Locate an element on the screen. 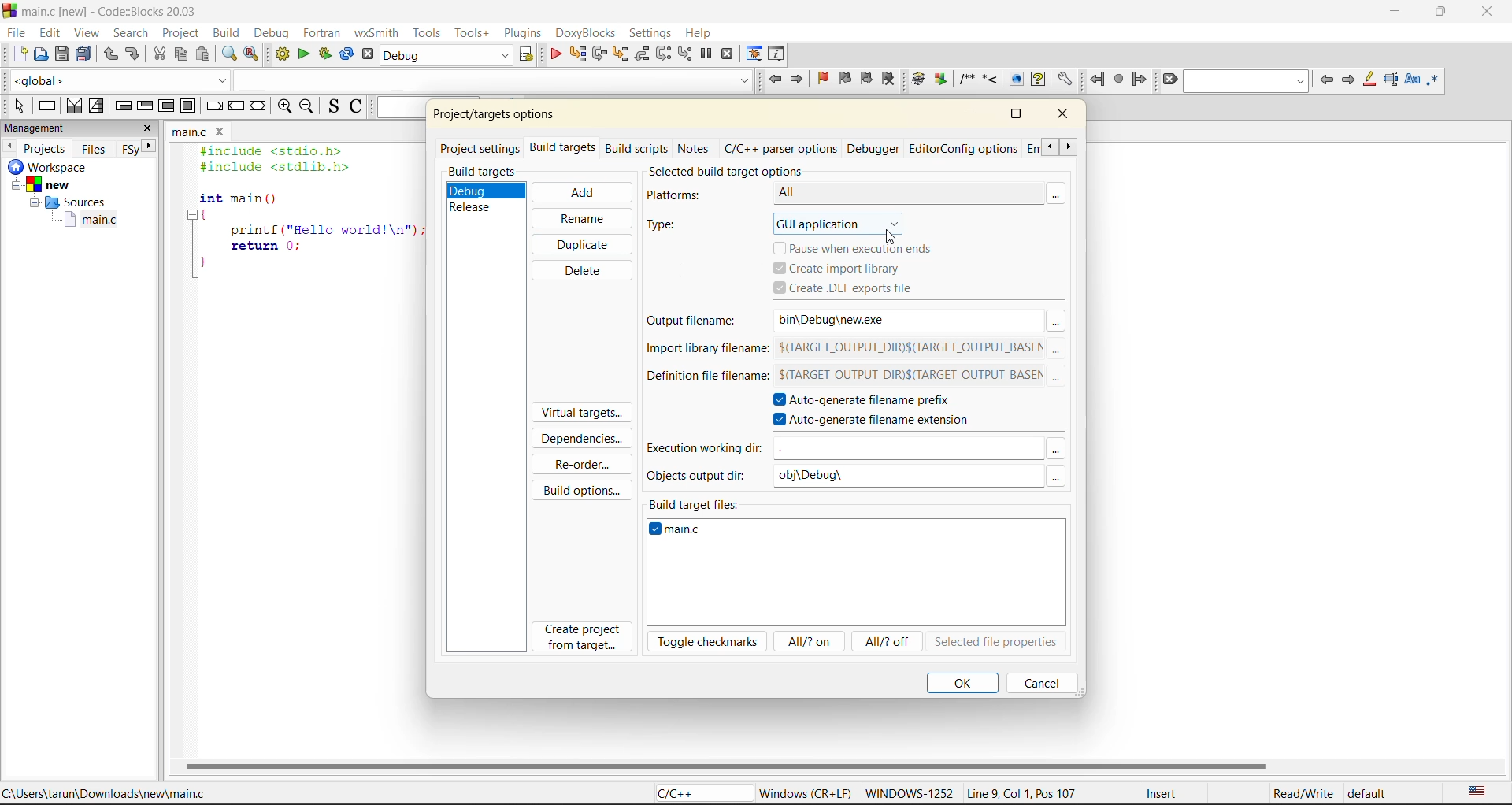  Insert a comment block at the current line is located at coordinates (966, 80).